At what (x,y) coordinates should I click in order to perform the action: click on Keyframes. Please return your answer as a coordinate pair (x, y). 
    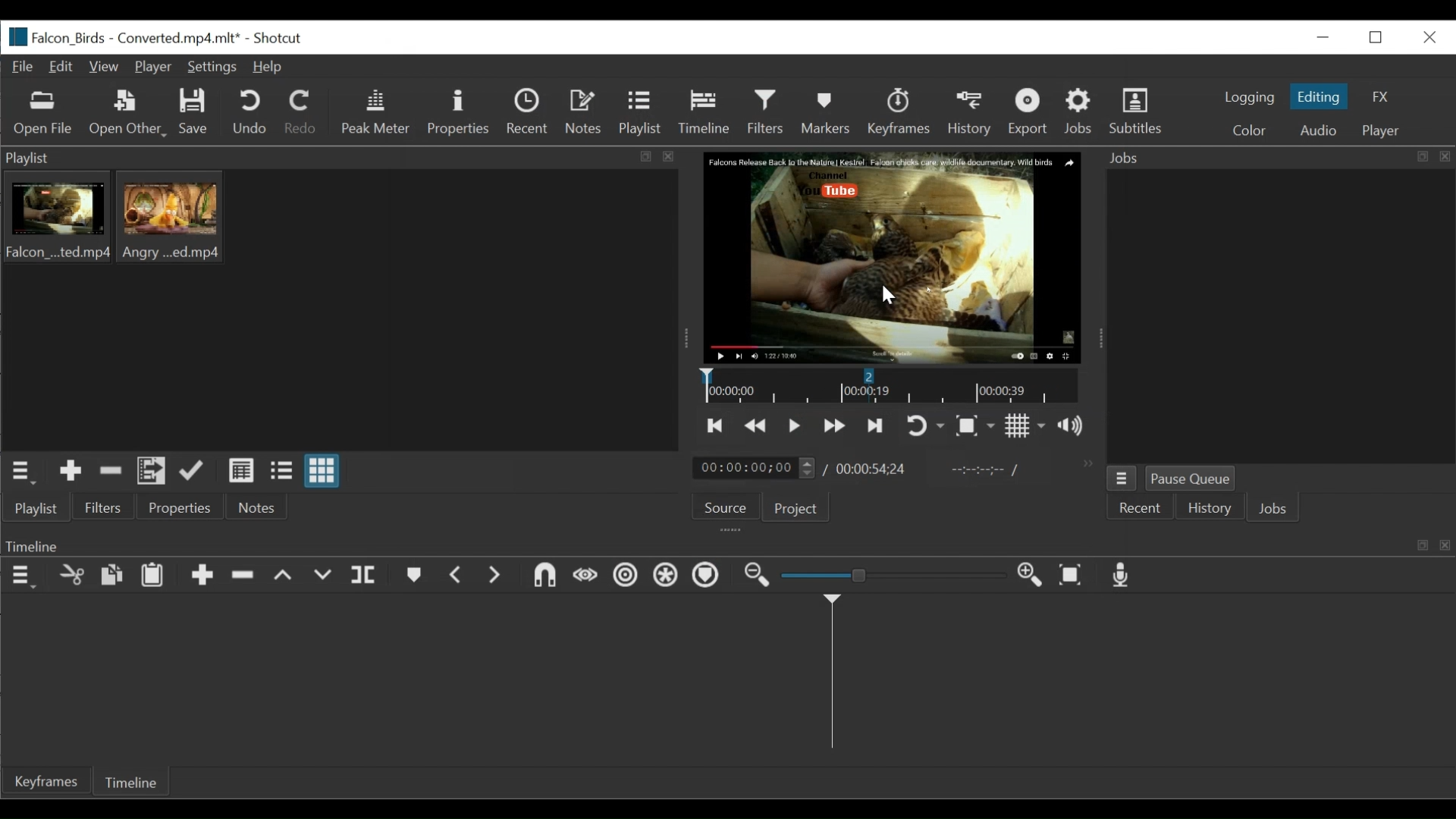
    Looking at the image, I should click on (899, 113).